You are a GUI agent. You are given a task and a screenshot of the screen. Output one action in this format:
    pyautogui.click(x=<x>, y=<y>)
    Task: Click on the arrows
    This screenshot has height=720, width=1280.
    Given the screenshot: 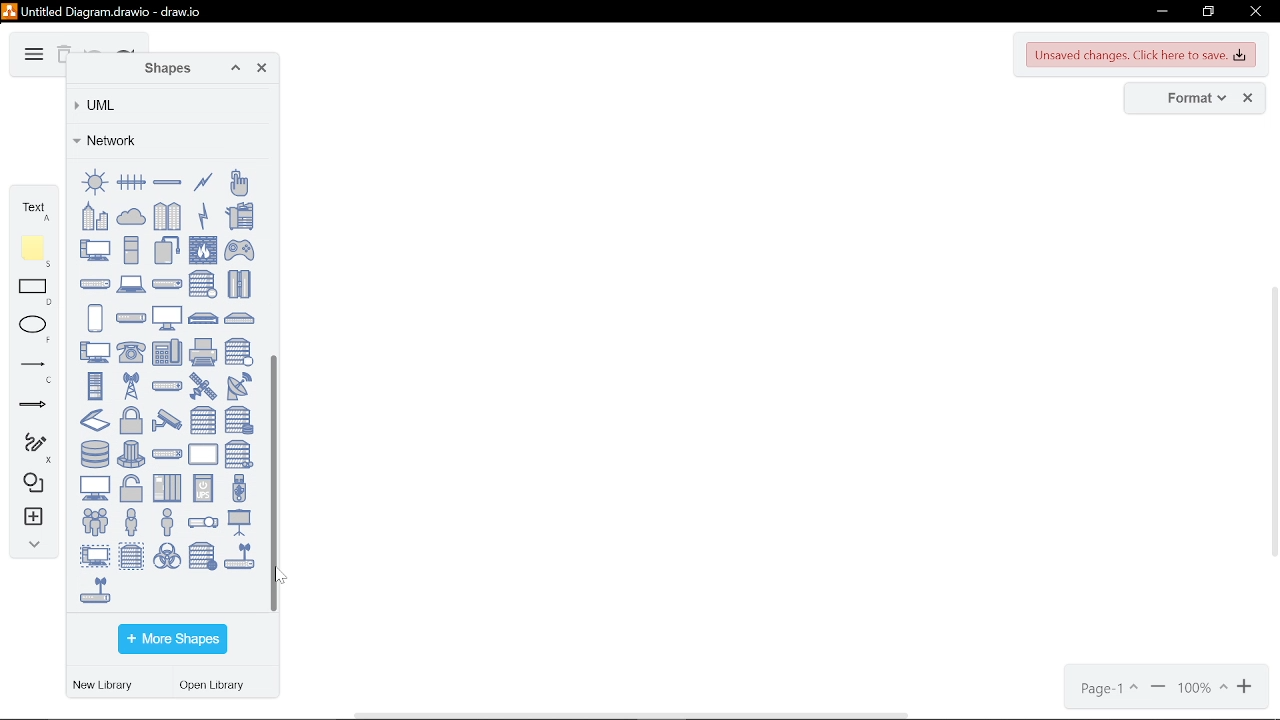 What is the action you would take?
    pyautogui.click(x=33, y=408)
    